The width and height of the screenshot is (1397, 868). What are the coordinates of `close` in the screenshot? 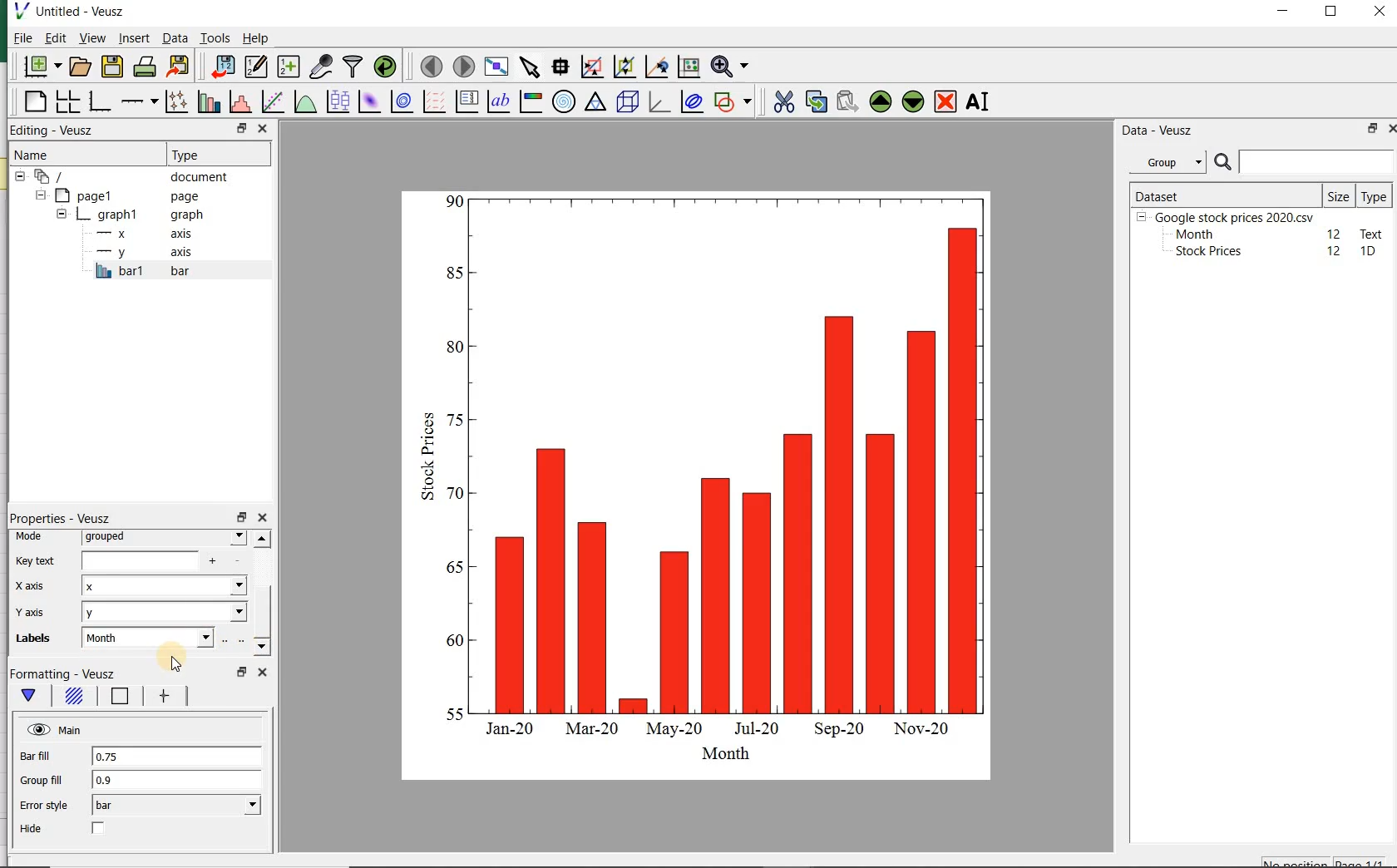 It's located at (1380, 12).